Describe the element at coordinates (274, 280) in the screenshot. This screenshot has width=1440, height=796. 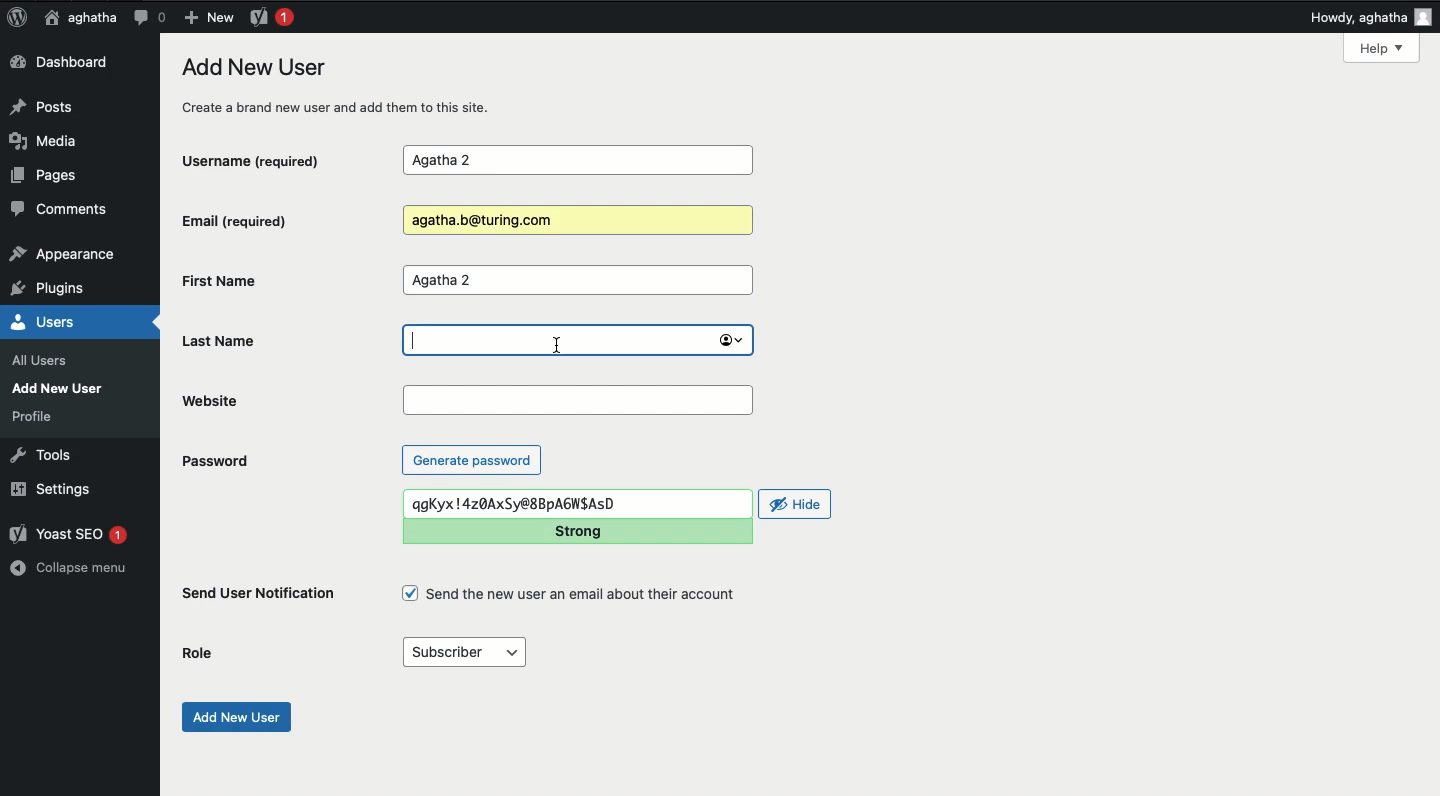
I see `First Name` at that location.